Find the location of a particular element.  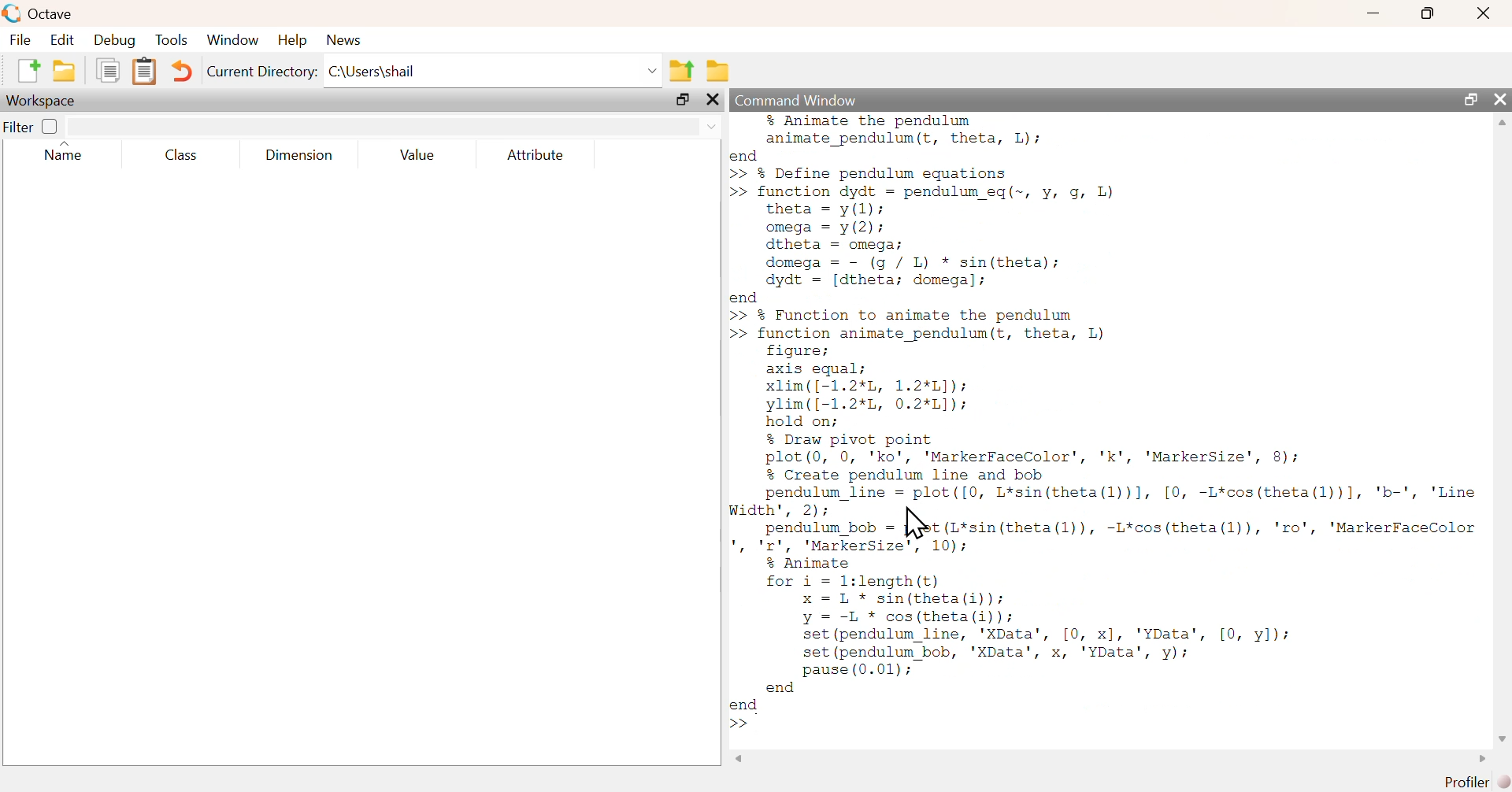

Edit is located at coordinates (61, 39).